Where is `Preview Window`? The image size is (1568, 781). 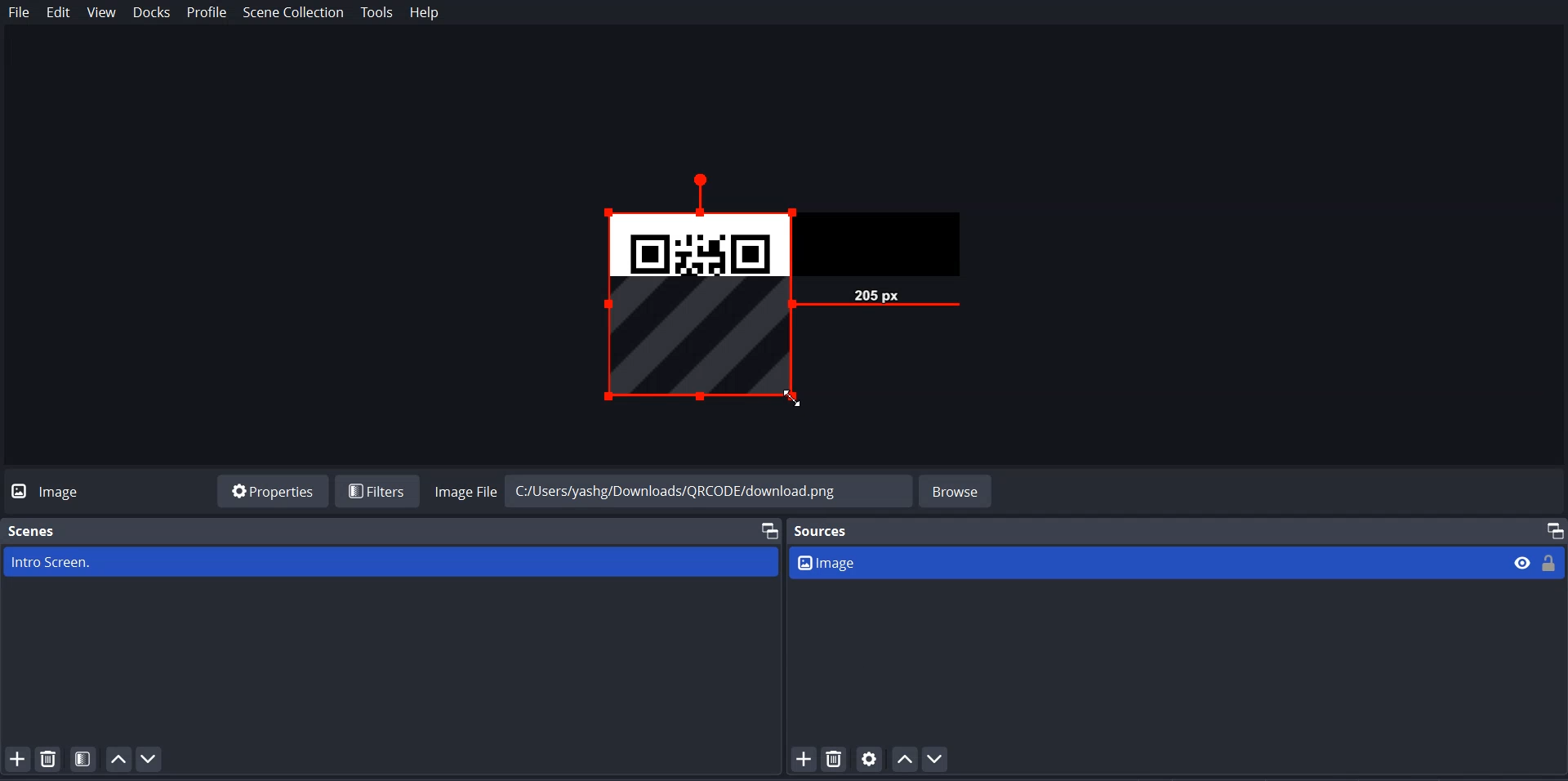 Preview Window is located at coordinates (809, 293).